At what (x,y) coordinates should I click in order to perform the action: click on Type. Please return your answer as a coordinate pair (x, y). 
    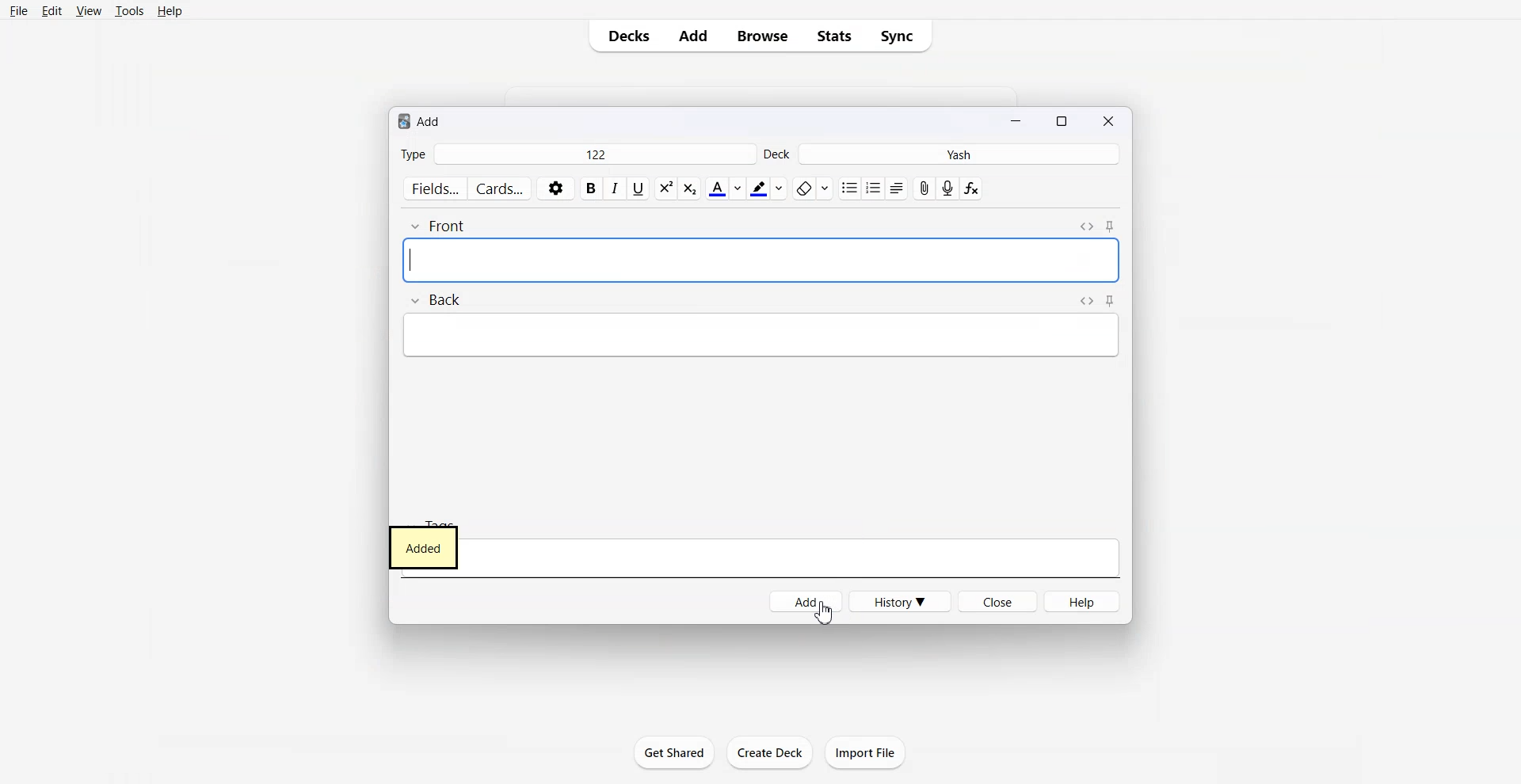
    Looking at the image, I should click on (414, 154).